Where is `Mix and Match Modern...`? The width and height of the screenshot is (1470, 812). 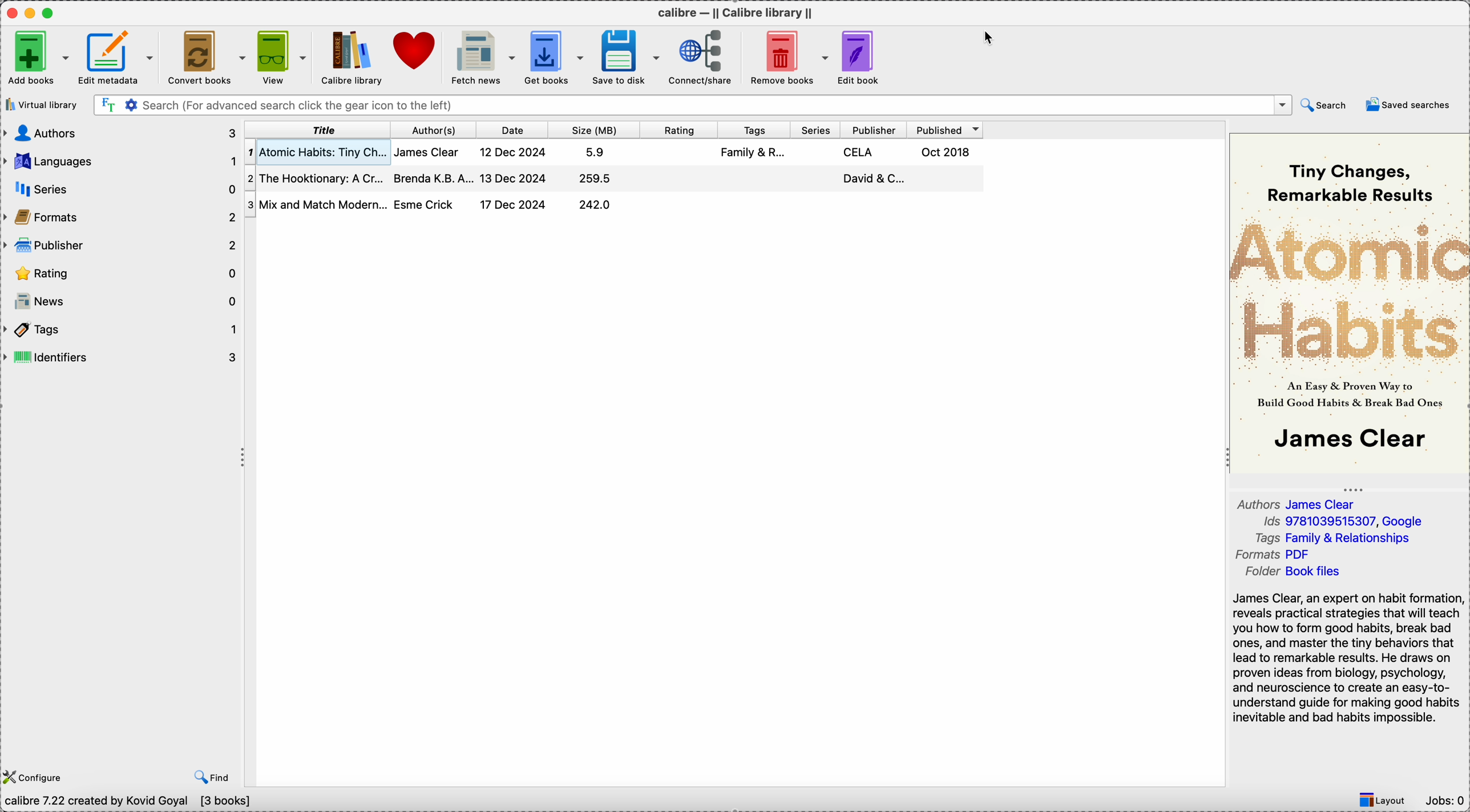
Mix and Match Modern... is located at coordinates (316, 203).